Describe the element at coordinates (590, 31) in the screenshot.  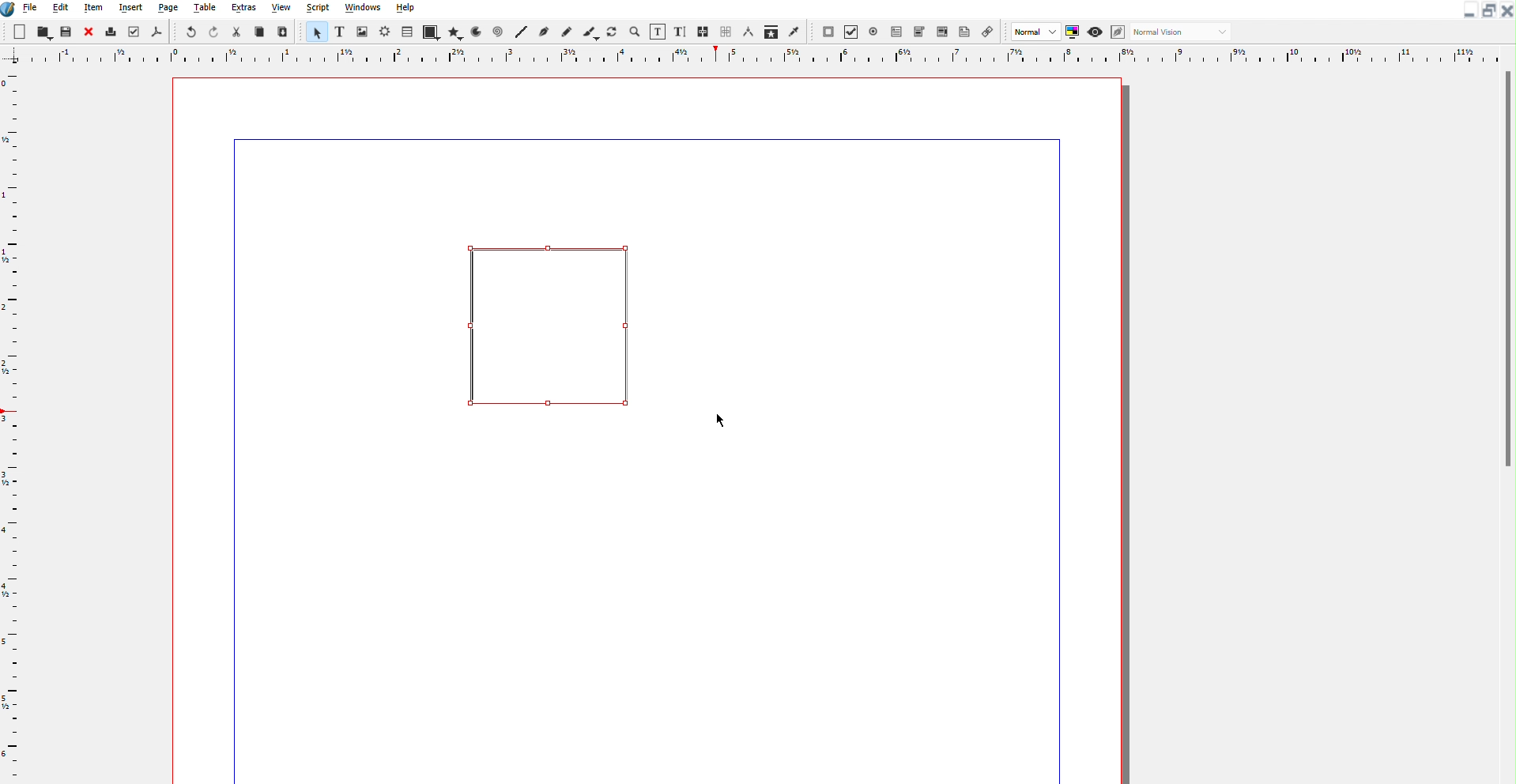
I see `Brush Line` at that location.